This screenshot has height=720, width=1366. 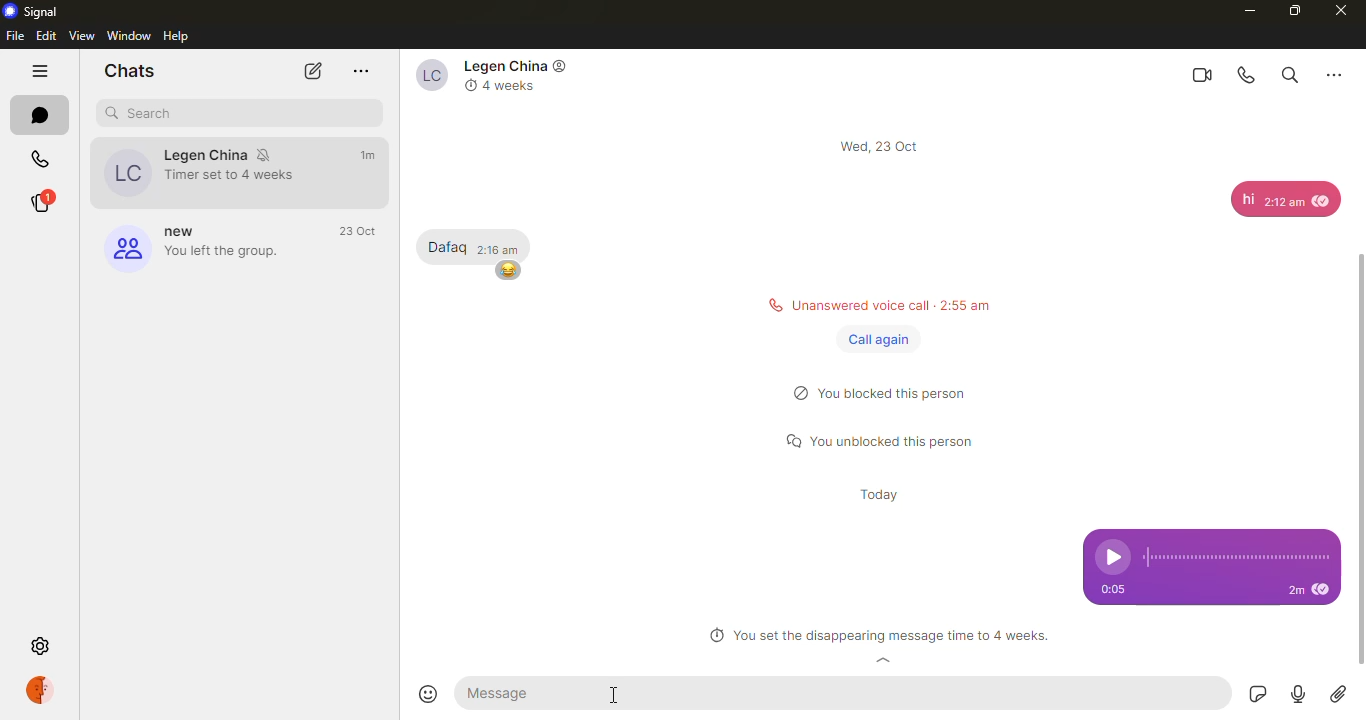 I want to click on call again, so click(x=879, y=340).